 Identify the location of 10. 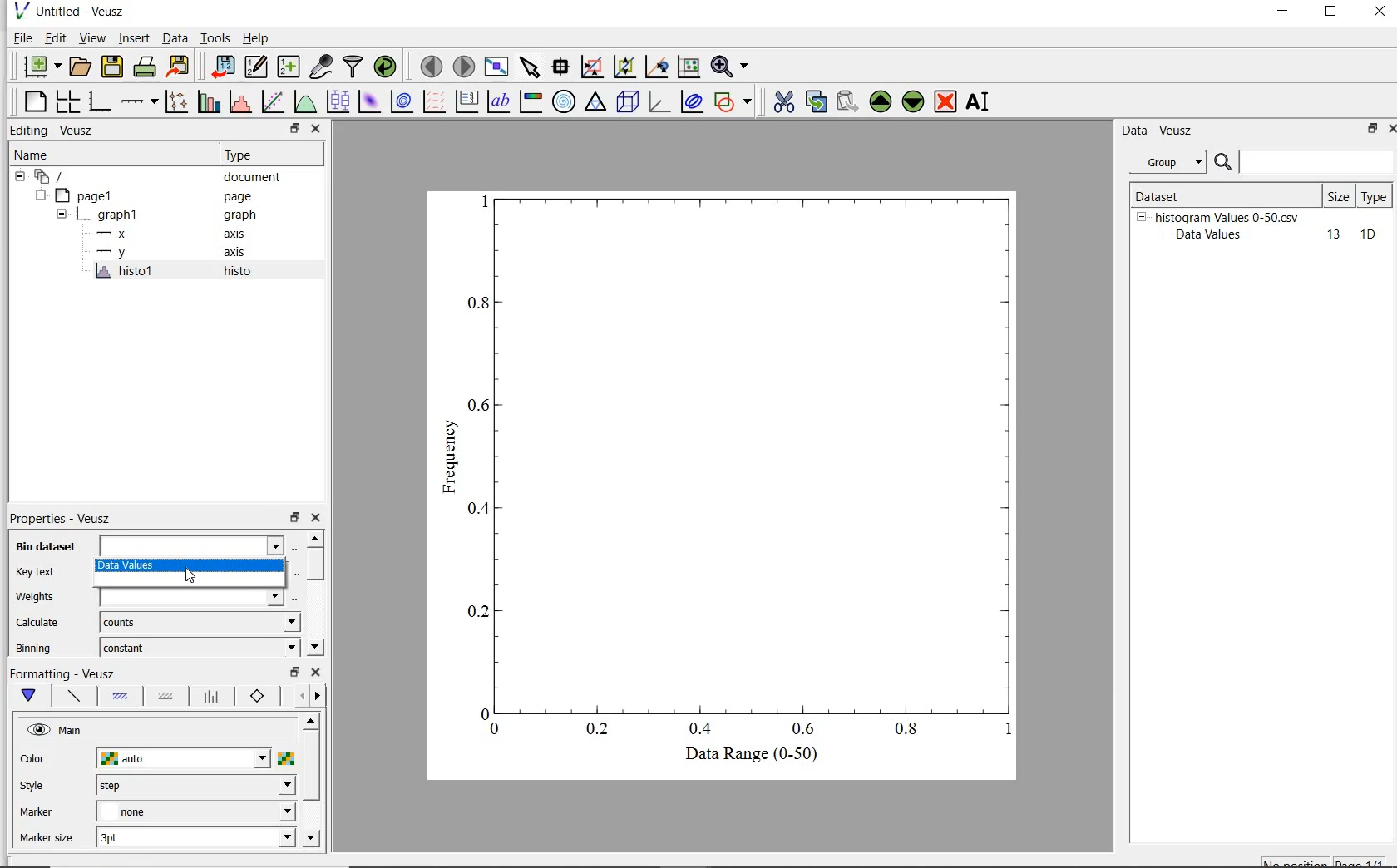
(1368, 235).